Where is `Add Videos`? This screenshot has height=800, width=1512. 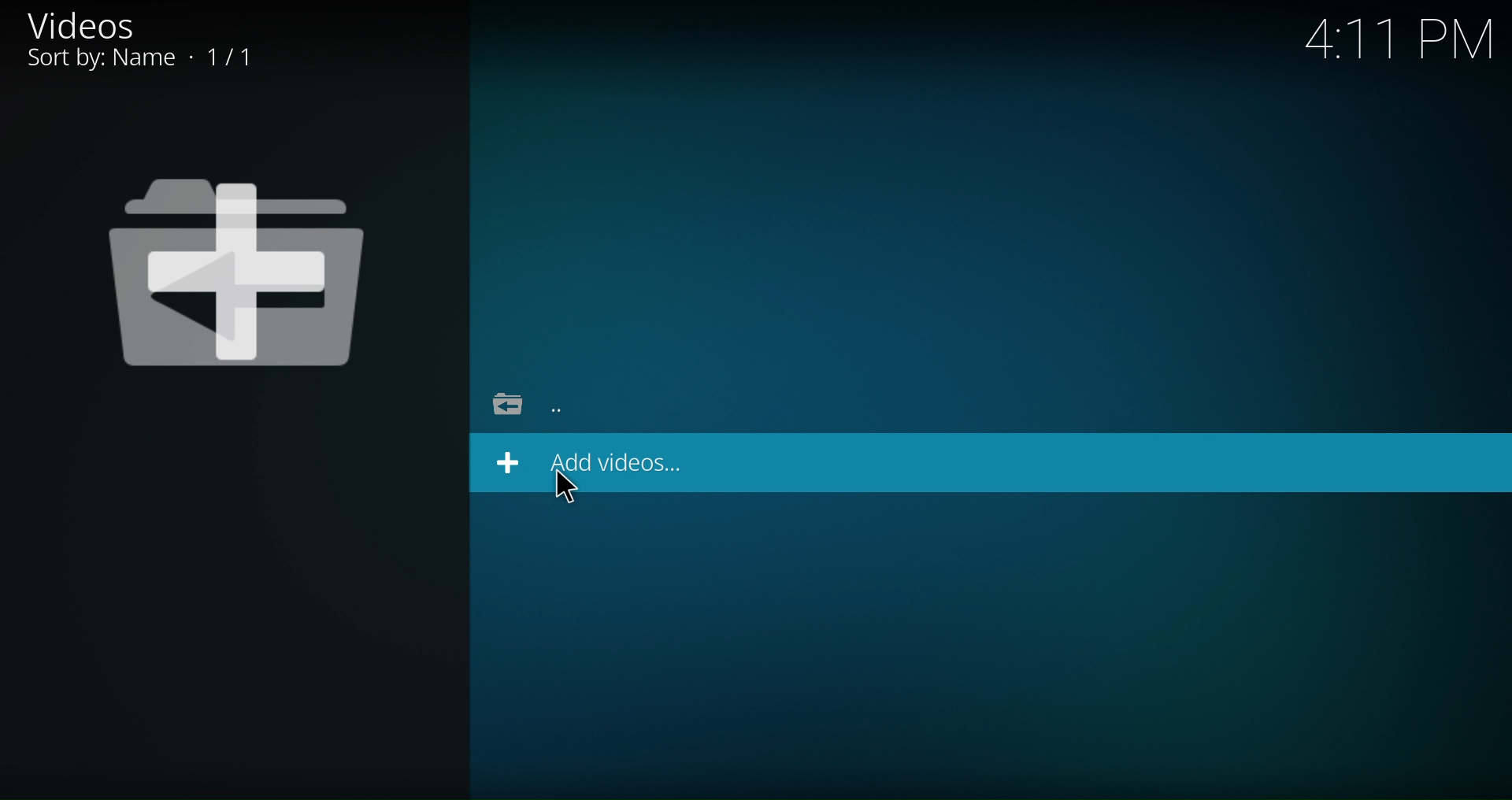
Add Videos is located at coordinates (586, 463).